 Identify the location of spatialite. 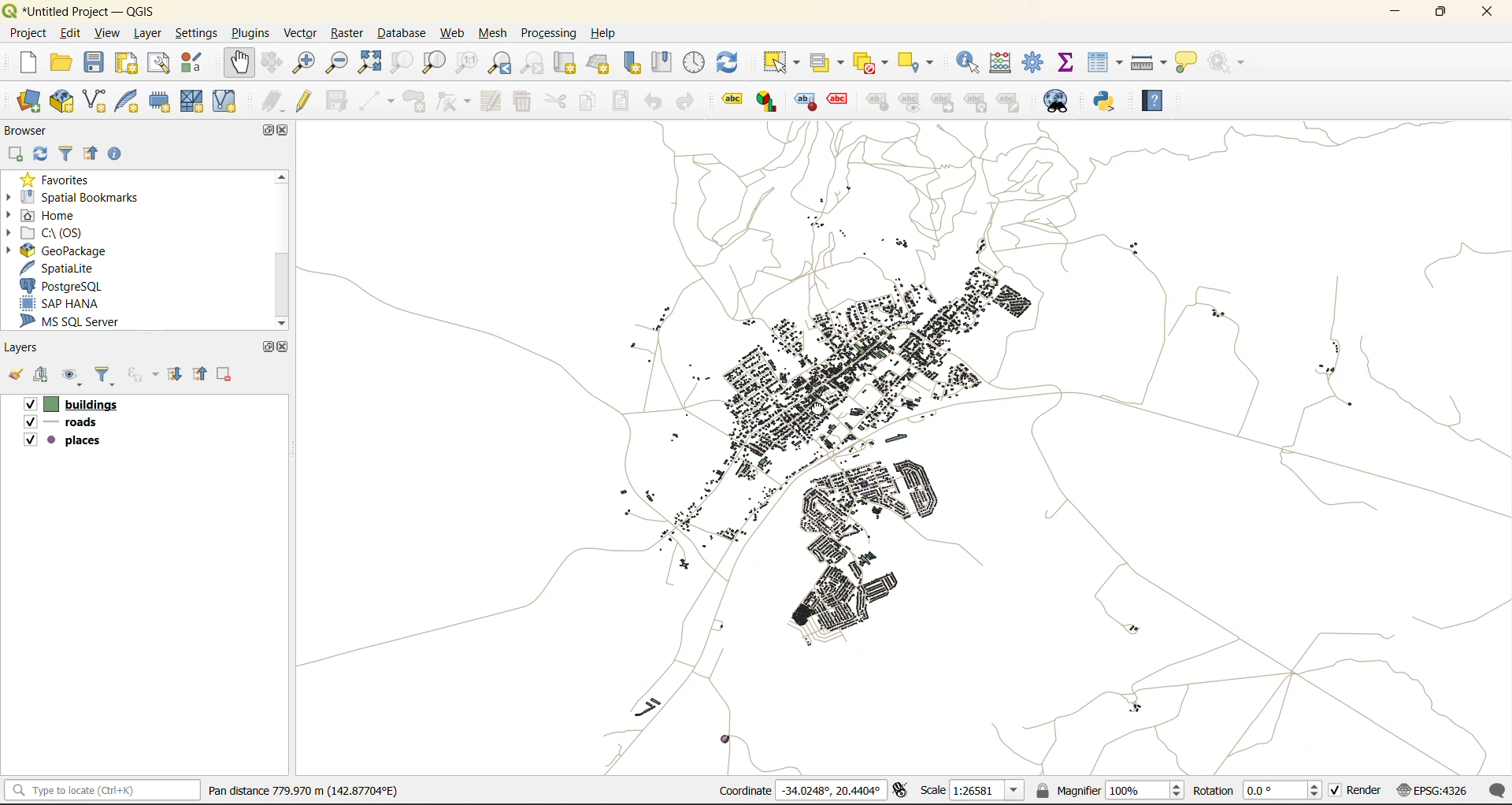
(65, 265).